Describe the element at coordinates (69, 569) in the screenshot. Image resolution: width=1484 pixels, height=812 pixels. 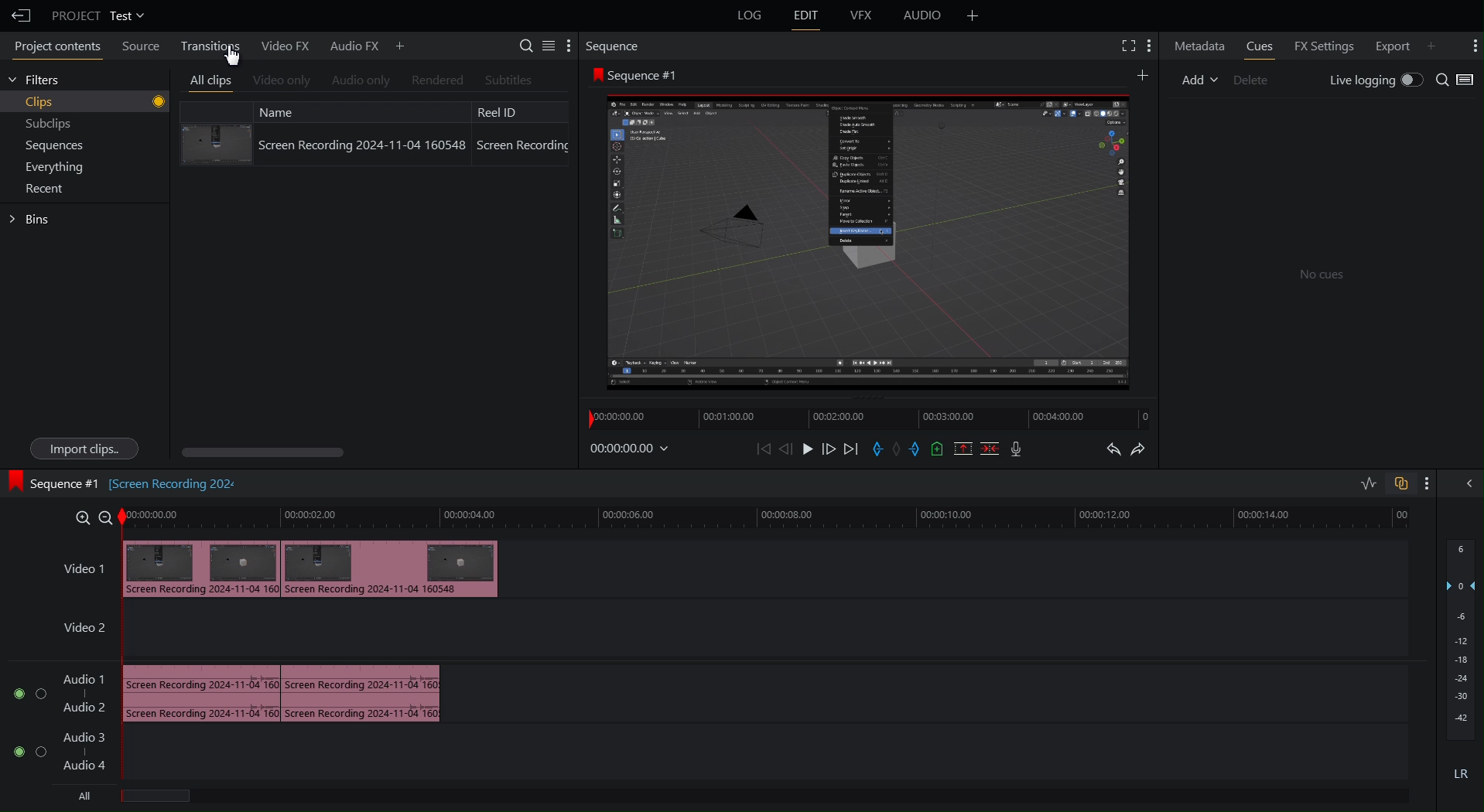
I see `Video 1` at that location.